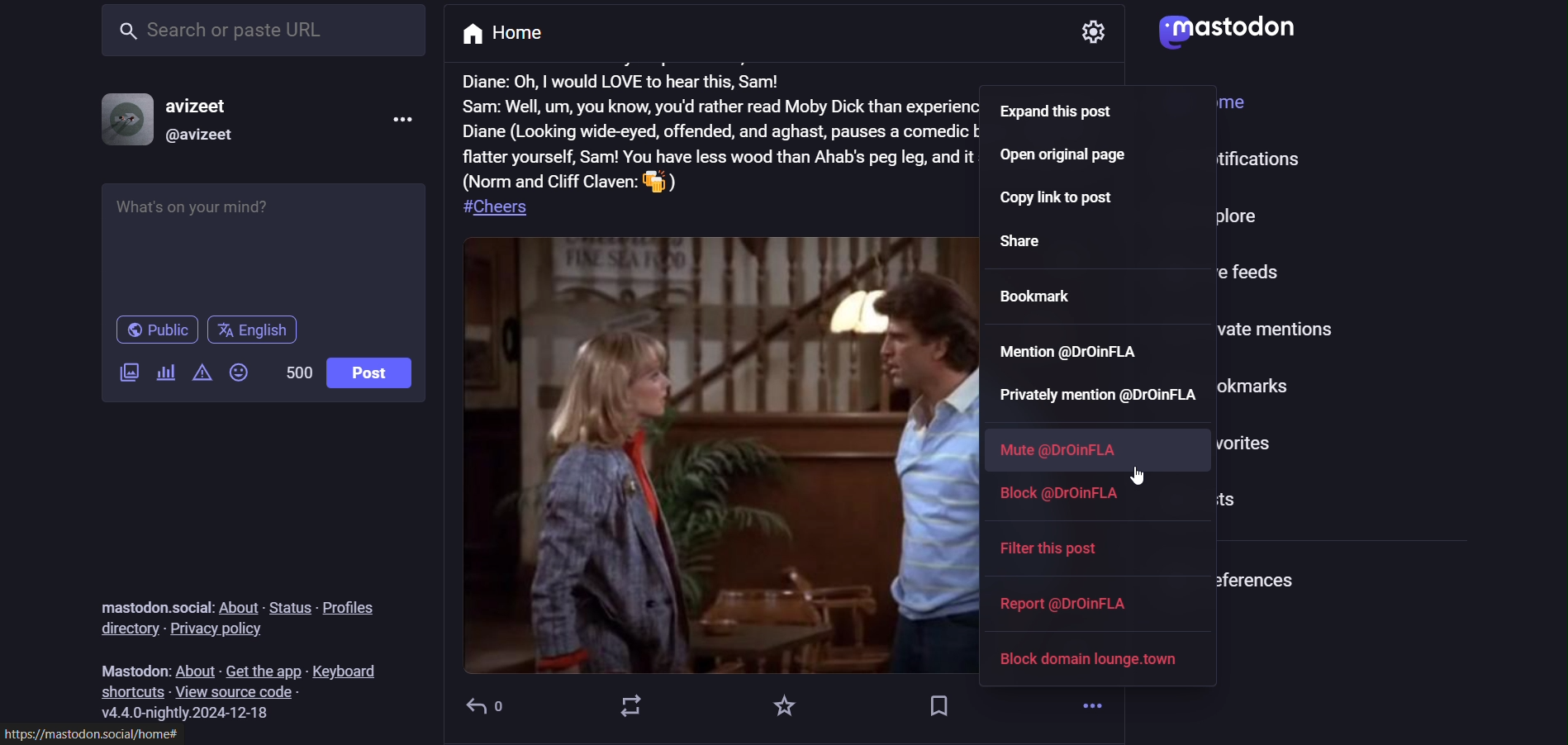  I want to click on bookmarks, so click(1040, 292).